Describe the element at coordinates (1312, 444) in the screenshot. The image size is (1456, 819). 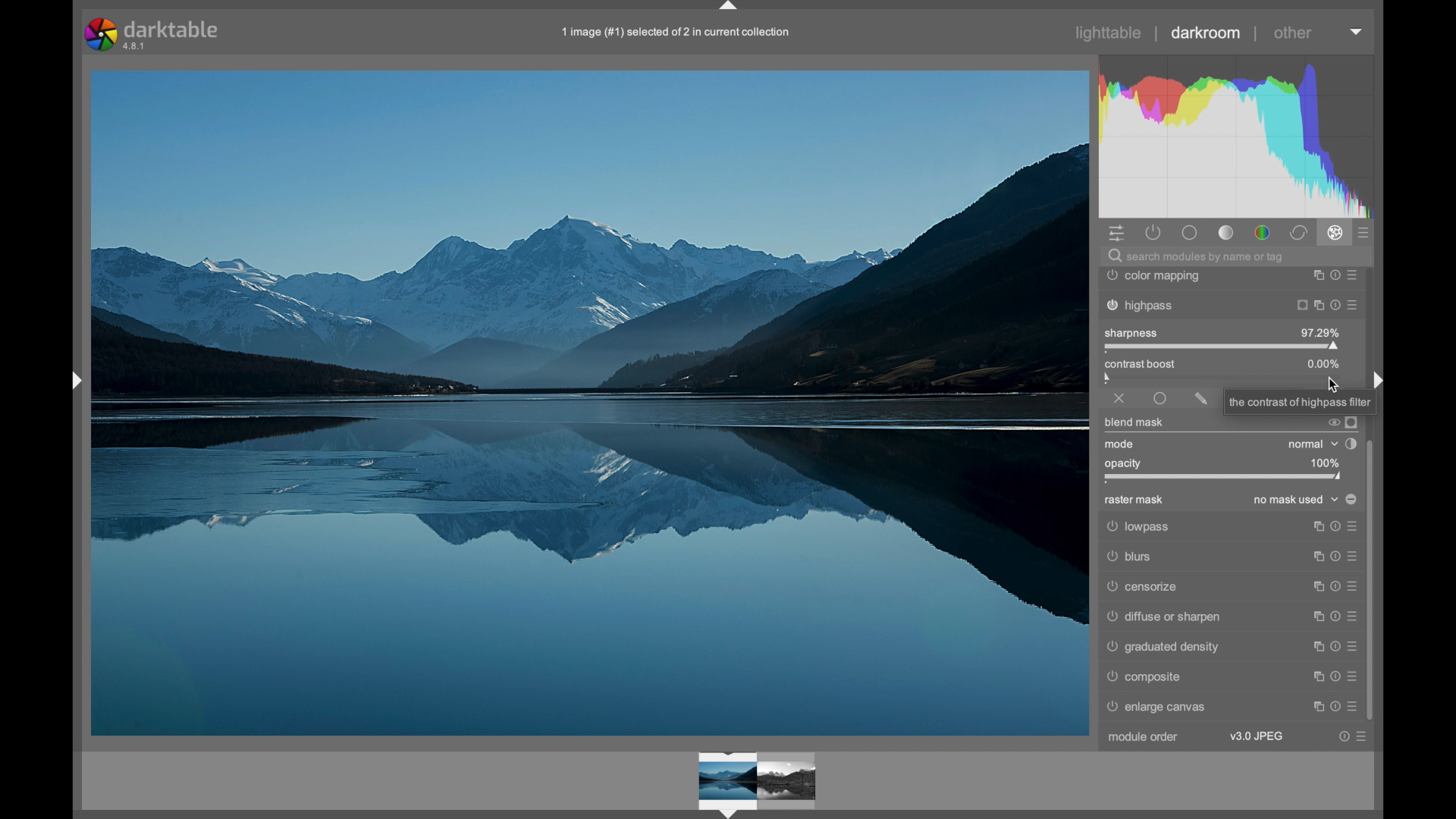
I see `normal dropdown` at that location.